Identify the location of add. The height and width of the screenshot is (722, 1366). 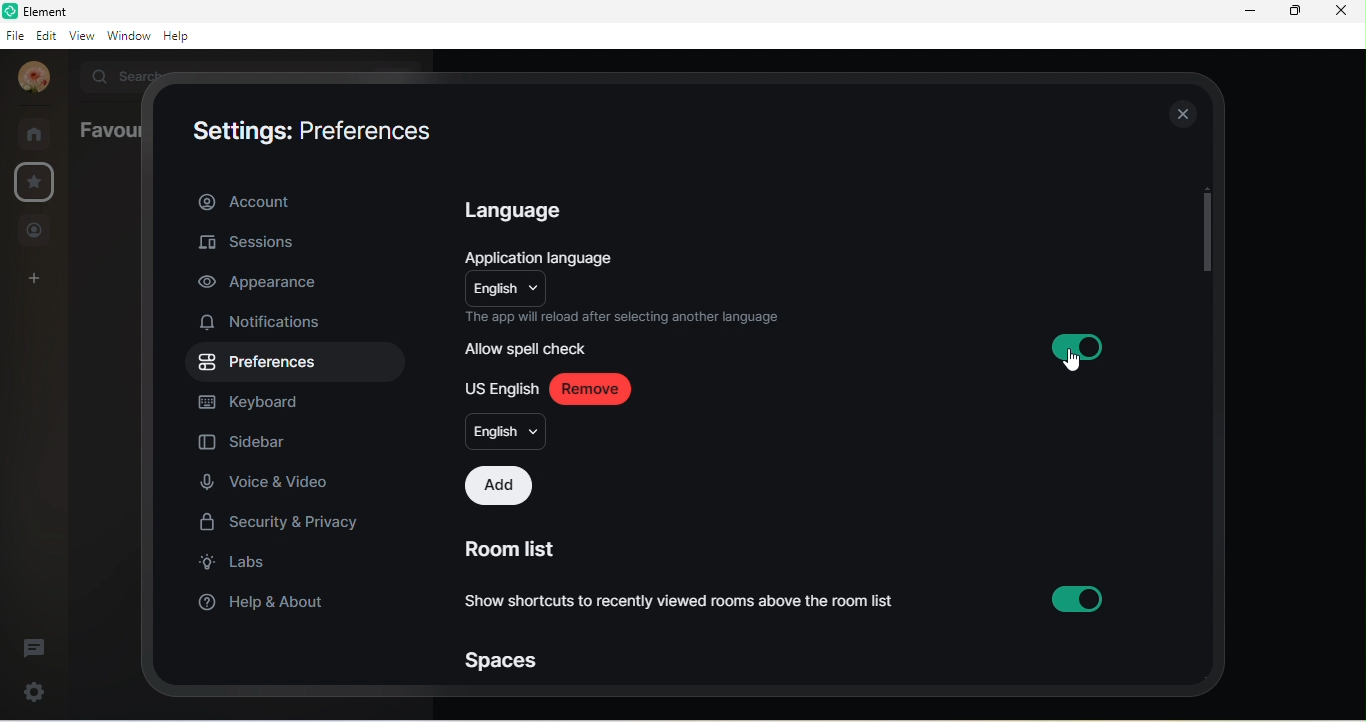
(501, 487).